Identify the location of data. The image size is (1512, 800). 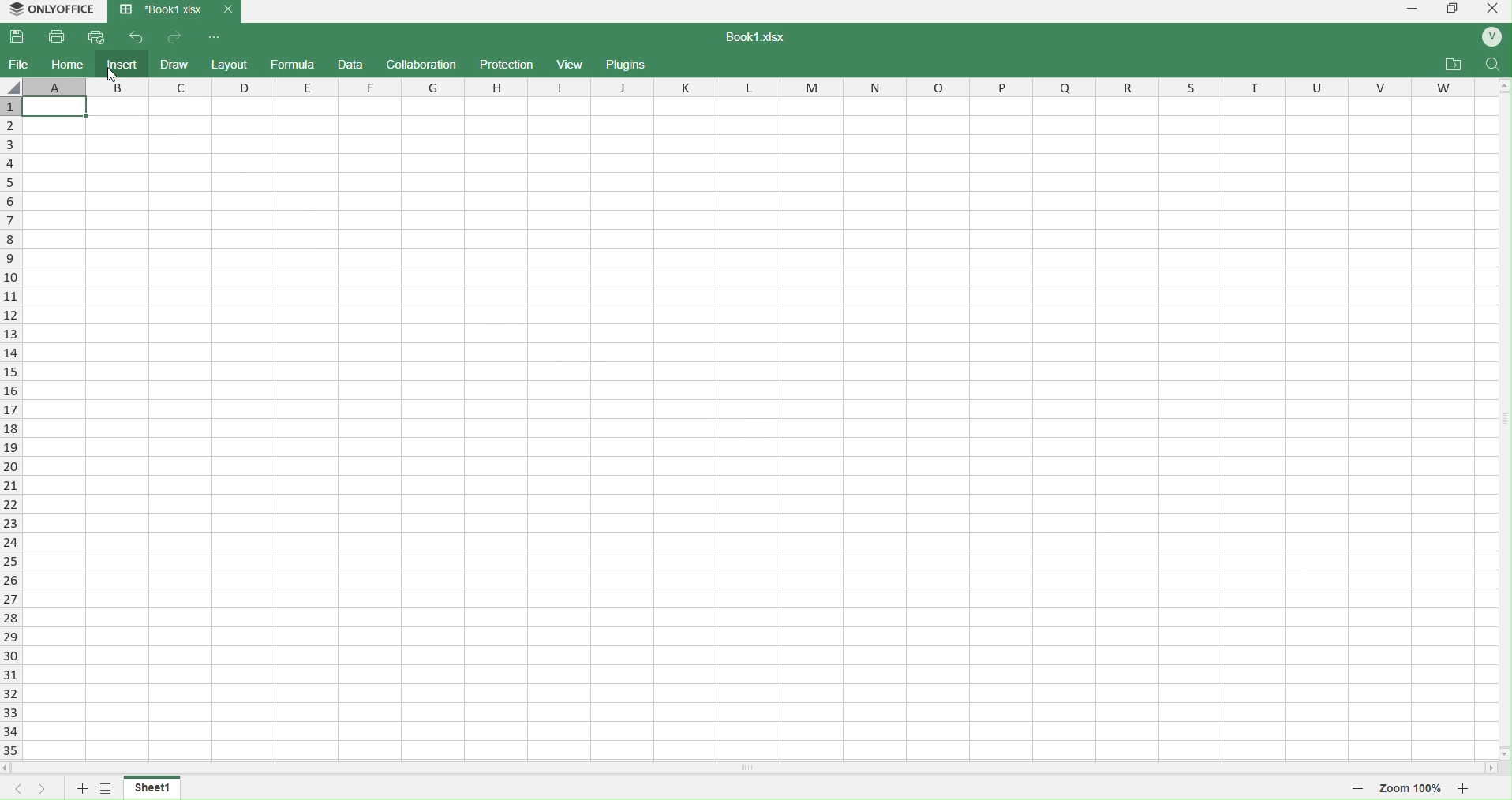
(353, 65).